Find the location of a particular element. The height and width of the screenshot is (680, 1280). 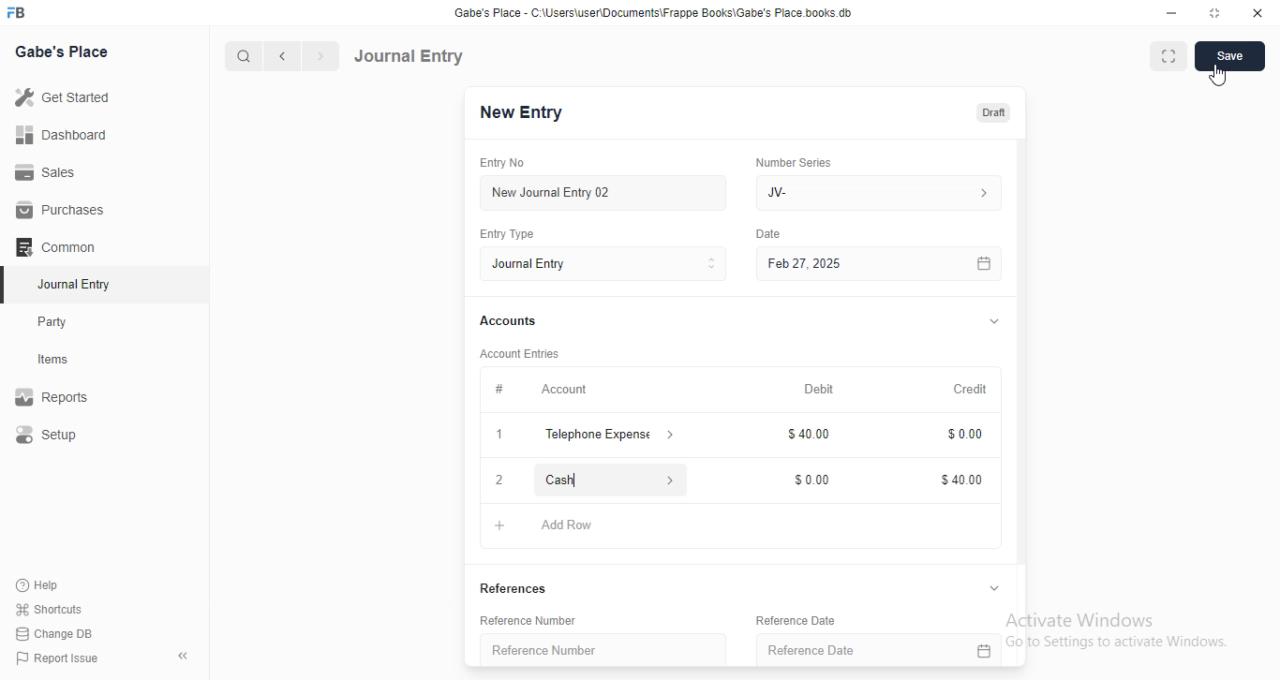

‘Gabe's Place - C Wsers\userDocuments\Frappe Books\Gabe's Place books db is located at coordinates (659, 11).